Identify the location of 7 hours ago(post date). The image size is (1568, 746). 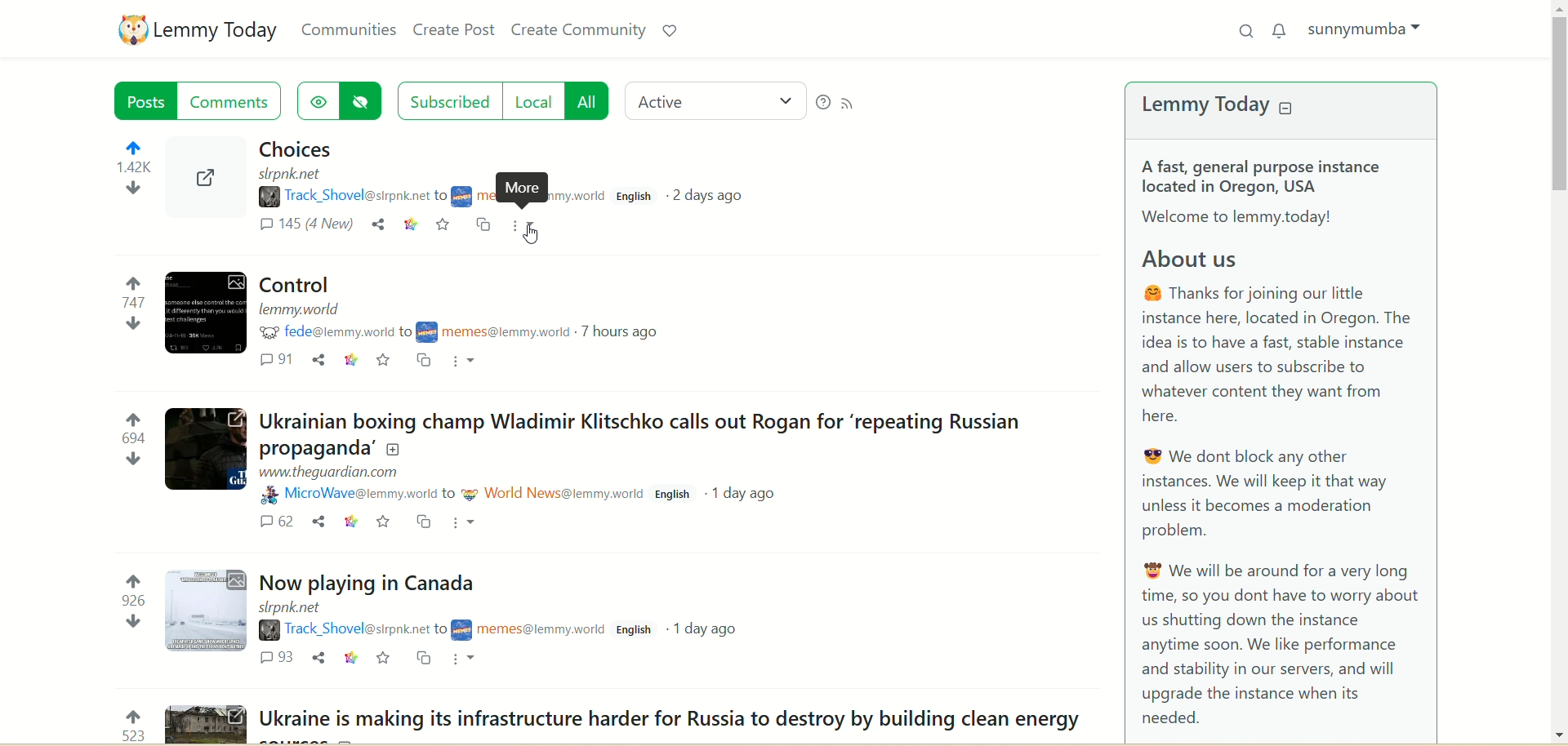
(627, 331).